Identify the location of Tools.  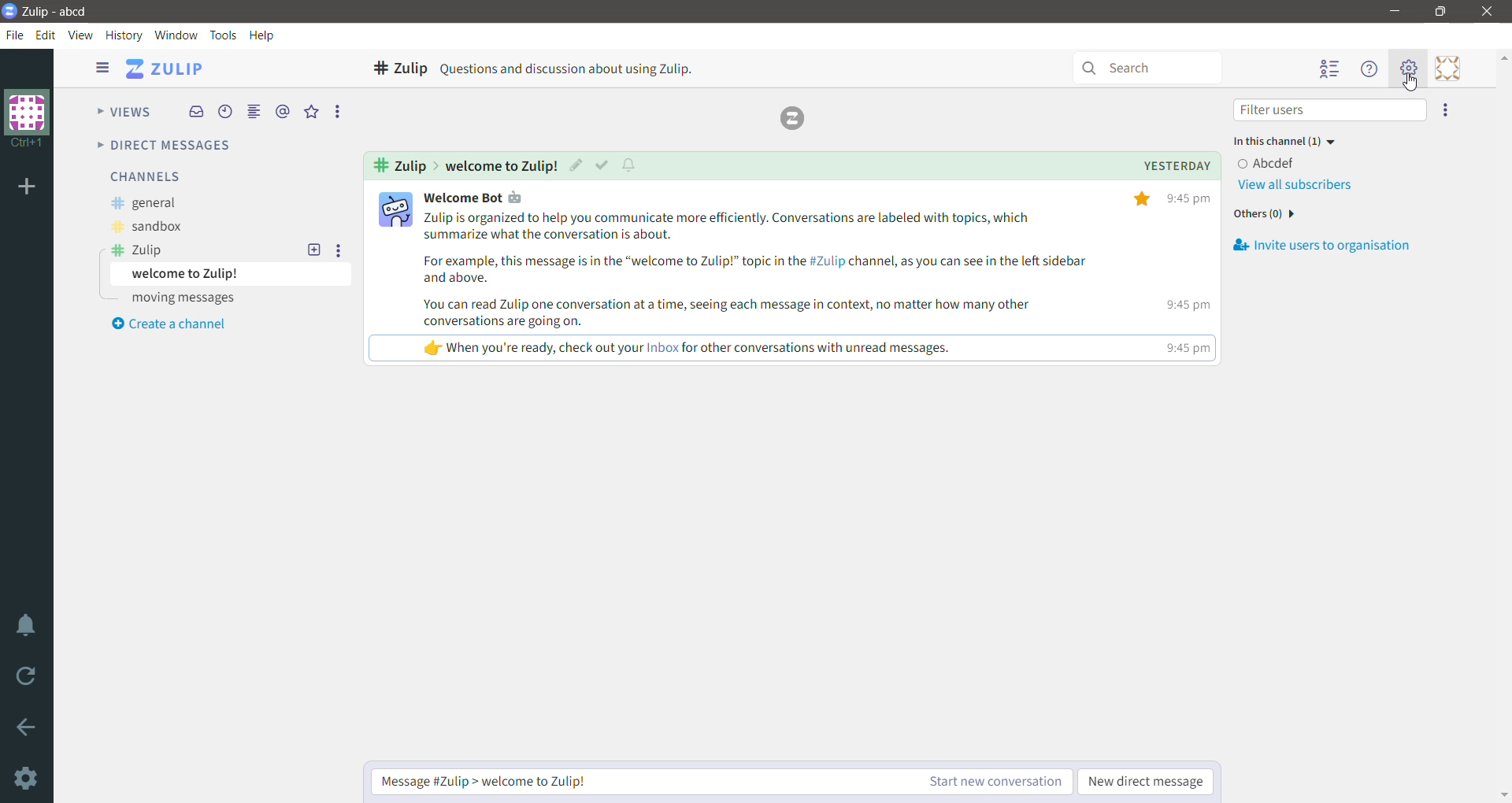
(225, 35).